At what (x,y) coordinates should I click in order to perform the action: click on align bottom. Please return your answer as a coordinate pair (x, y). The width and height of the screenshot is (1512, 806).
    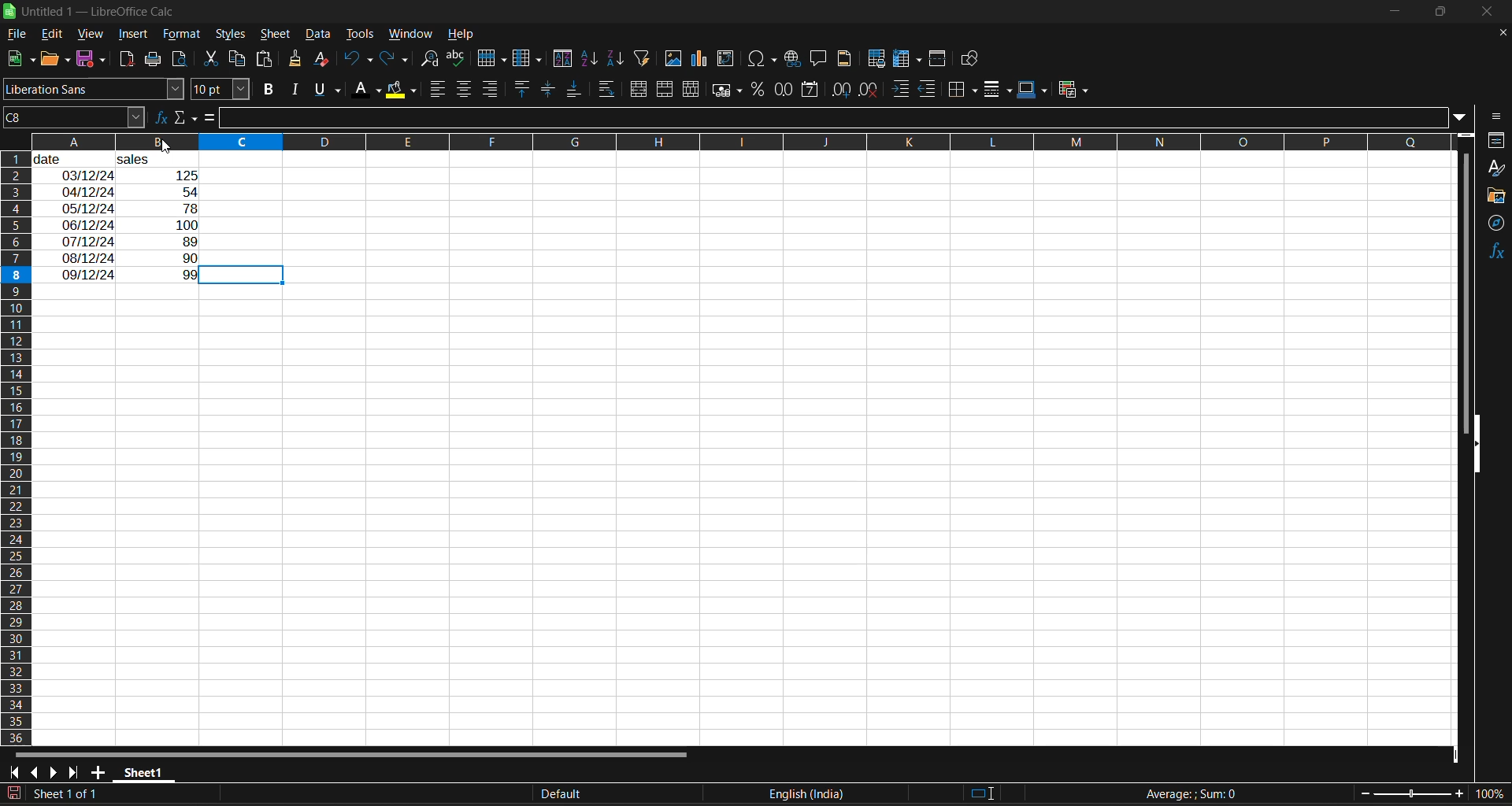
    Looking at the image, I should click on (572, 91).